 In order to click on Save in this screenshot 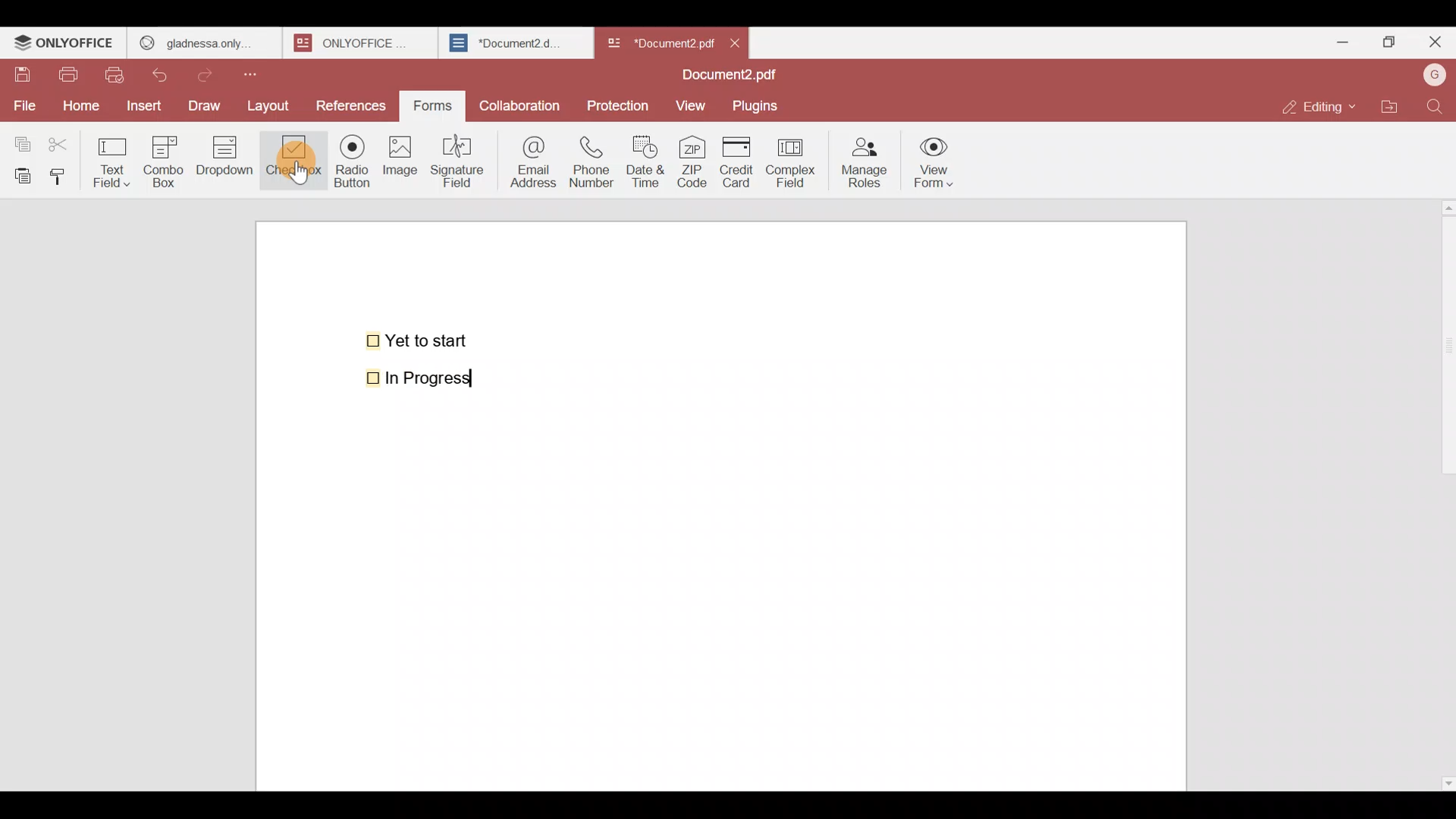, I will do `click(22, 75)`.